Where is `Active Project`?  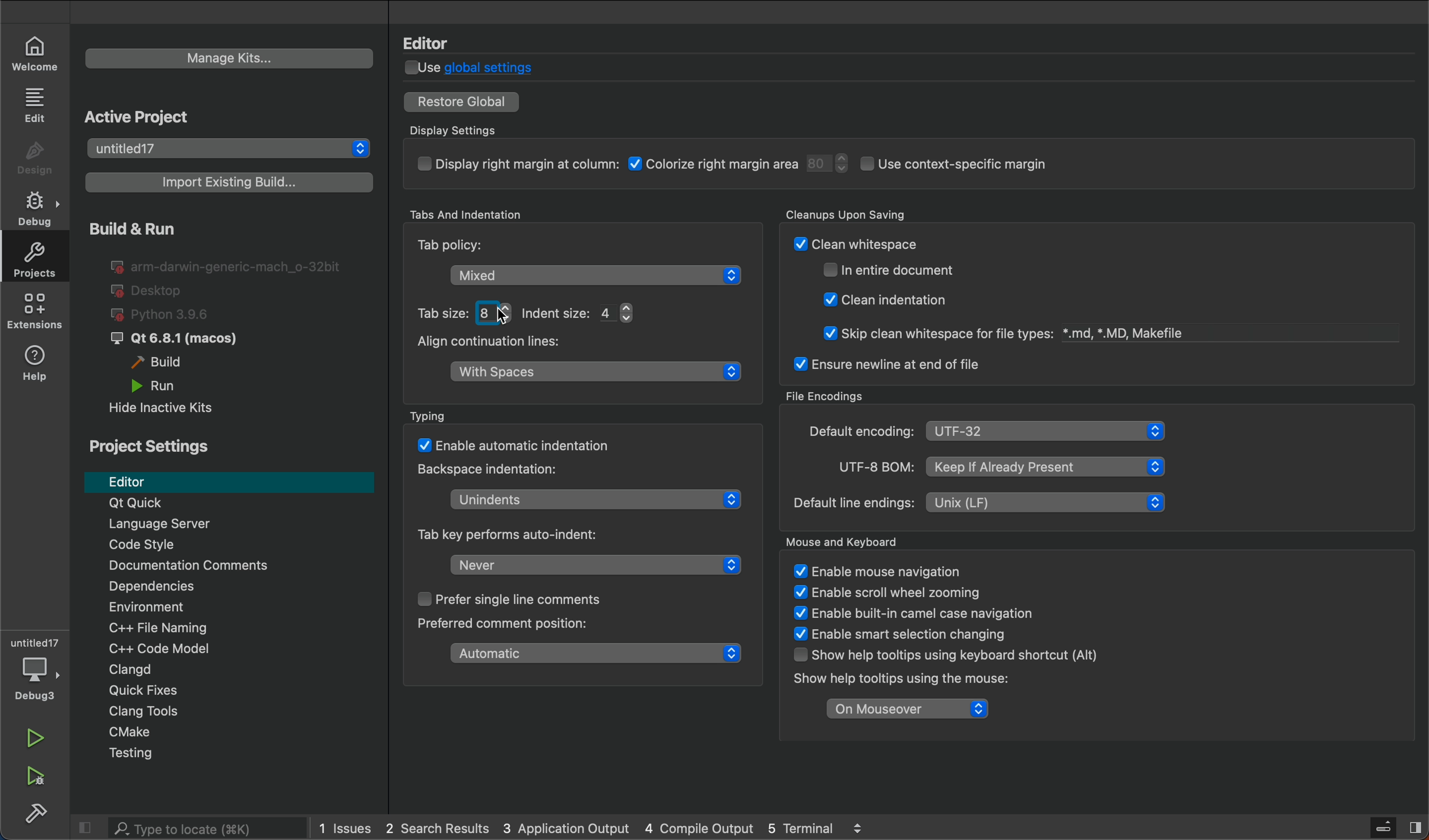 Active Project is located at coordinates (145, 117).